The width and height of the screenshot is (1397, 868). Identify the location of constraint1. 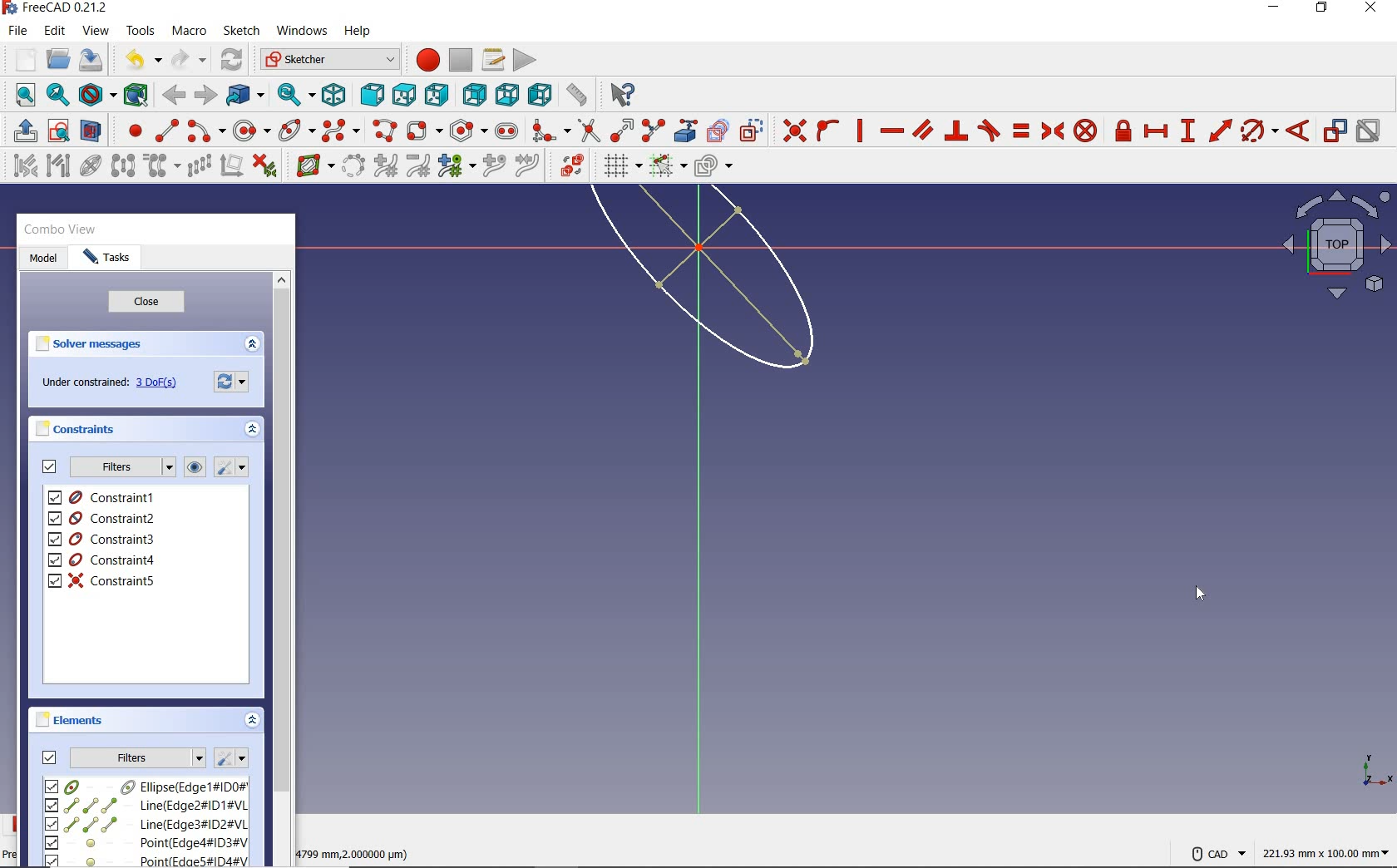
(107, 497).